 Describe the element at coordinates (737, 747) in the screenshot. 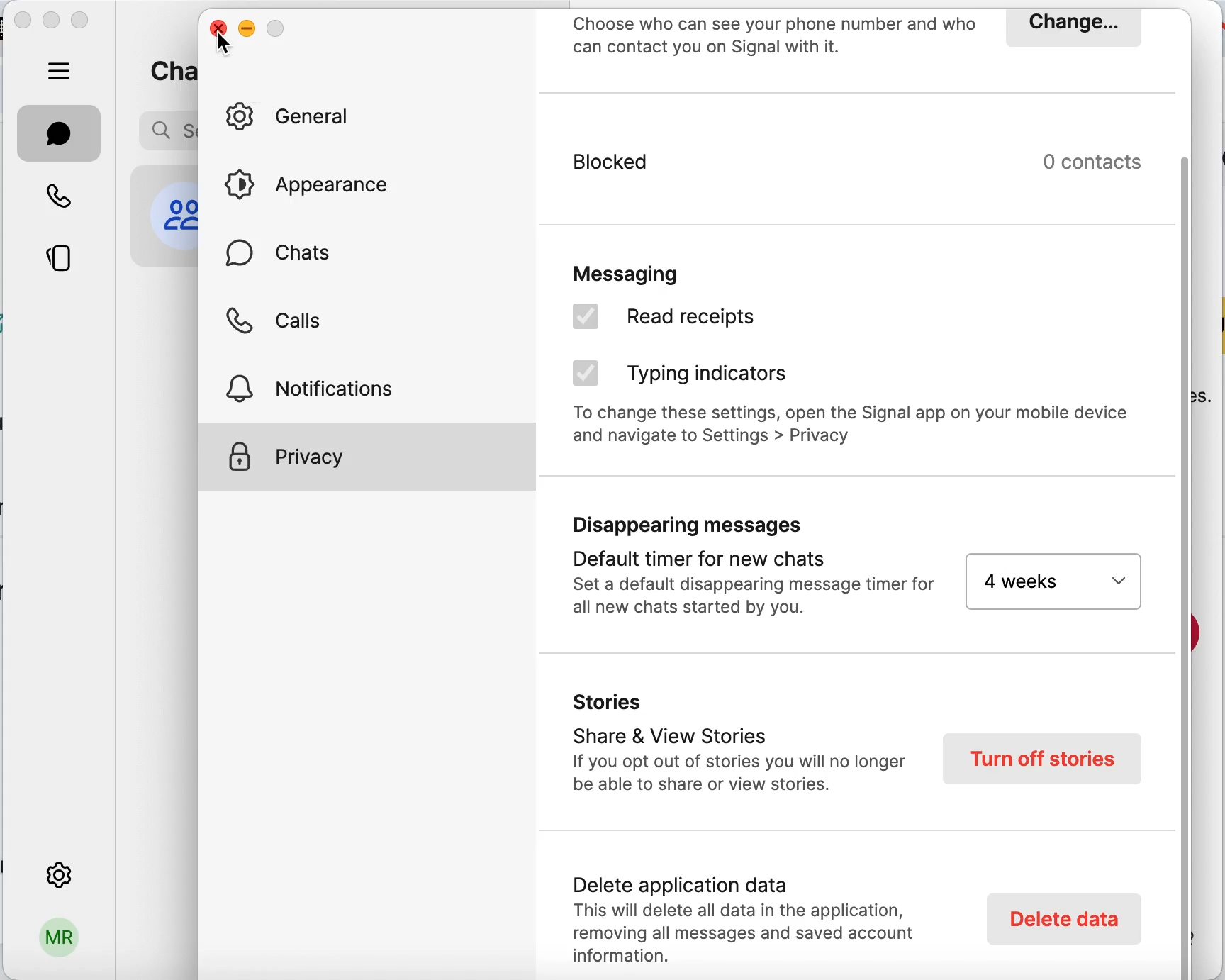

I see `share and view stories` at that location.